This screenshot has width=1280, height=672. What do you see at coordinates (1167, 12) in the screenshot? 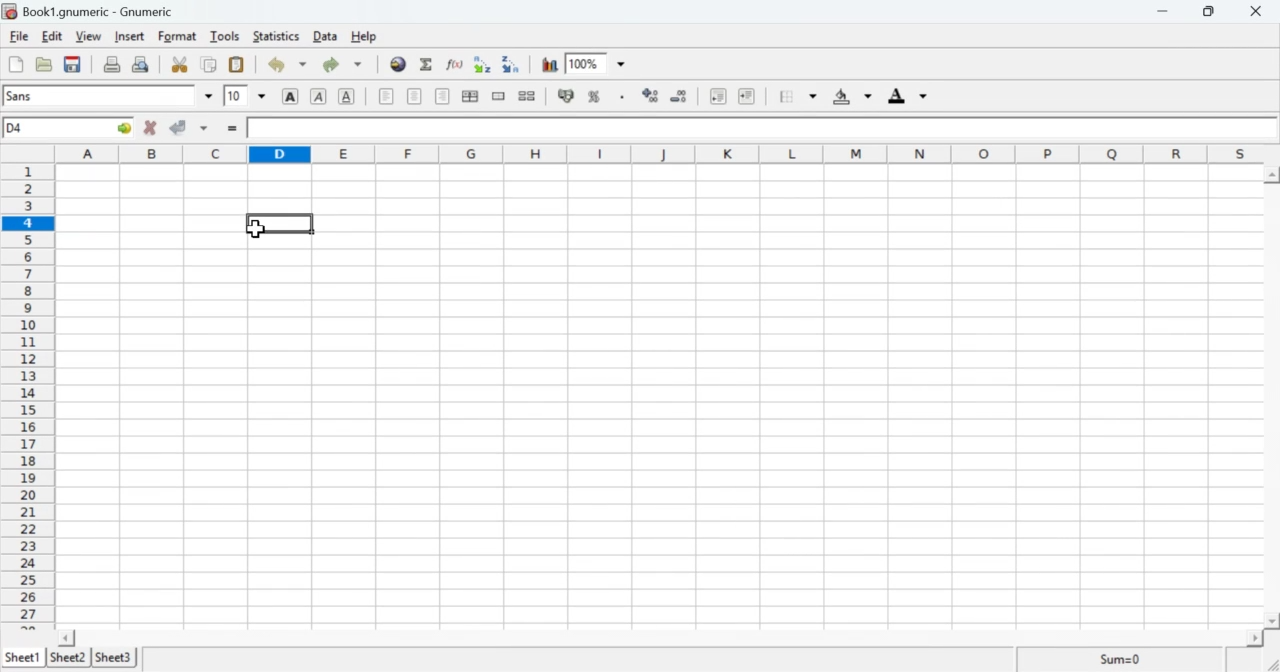
I see `Minimize` at bounding box center [1167, 12].